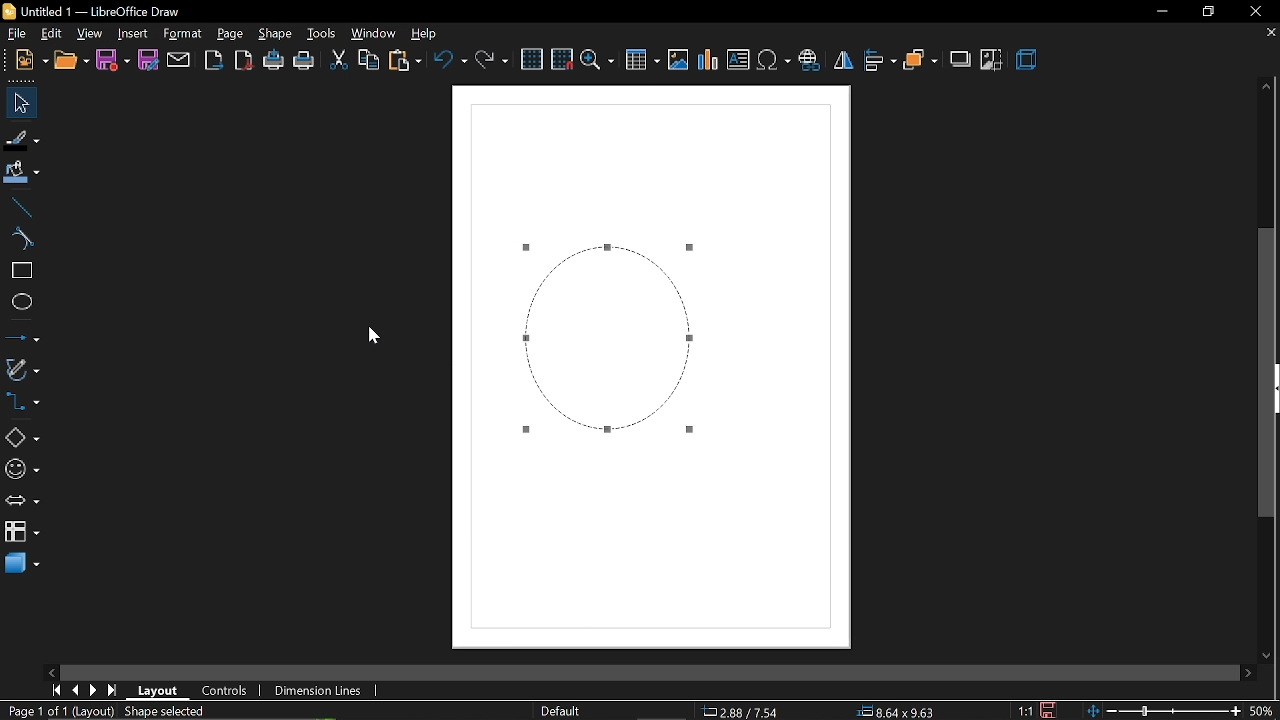 The height and width of the screenshot is (720, 1280). What do you see at coordinates (903, 713) in the screenshot?
I see `8.64x9.63` at bounding box center [903, 713].